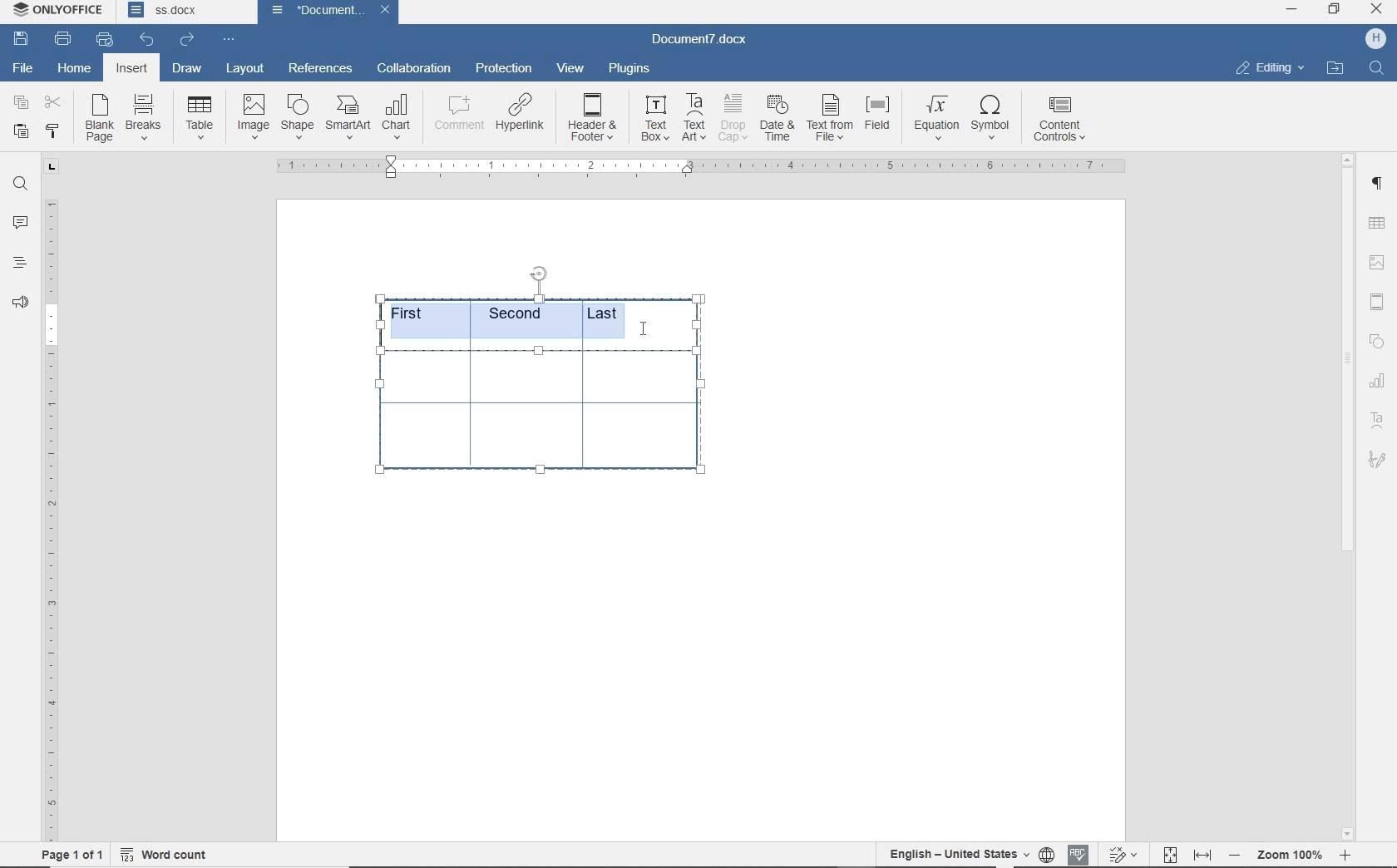 The image size is (1397, 868). What do you see at coordinates (777, 120) in the screenshot?
I see `date & time` at bounding box center [777, 120].